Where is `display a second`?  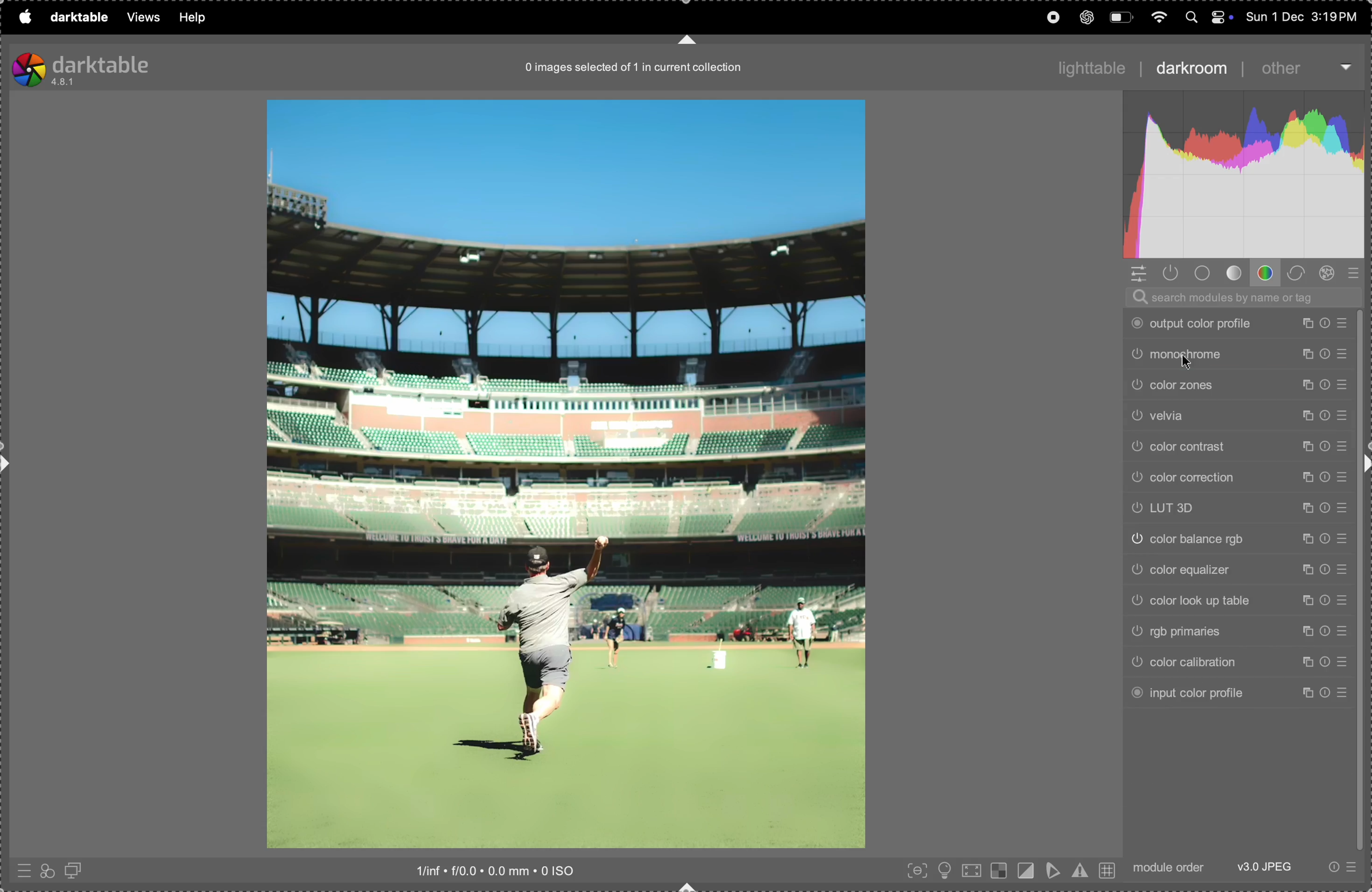
display a second is located at coordinates (77, 869).